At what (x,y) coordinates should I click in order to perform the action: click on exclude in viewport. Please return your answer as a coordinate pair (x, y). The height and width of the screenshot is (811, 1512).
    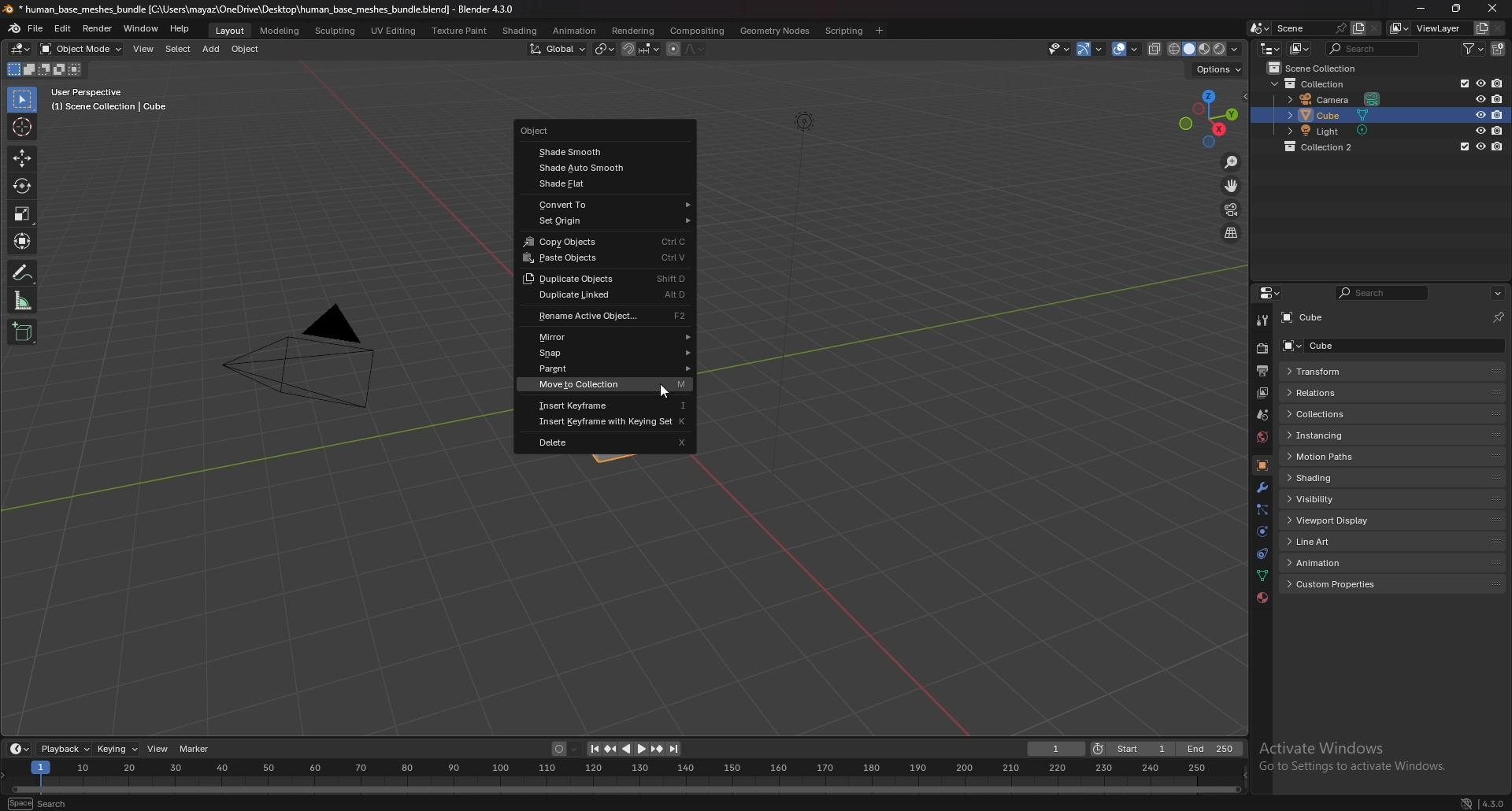
    Looking at the image, I should click on (1462, 83).